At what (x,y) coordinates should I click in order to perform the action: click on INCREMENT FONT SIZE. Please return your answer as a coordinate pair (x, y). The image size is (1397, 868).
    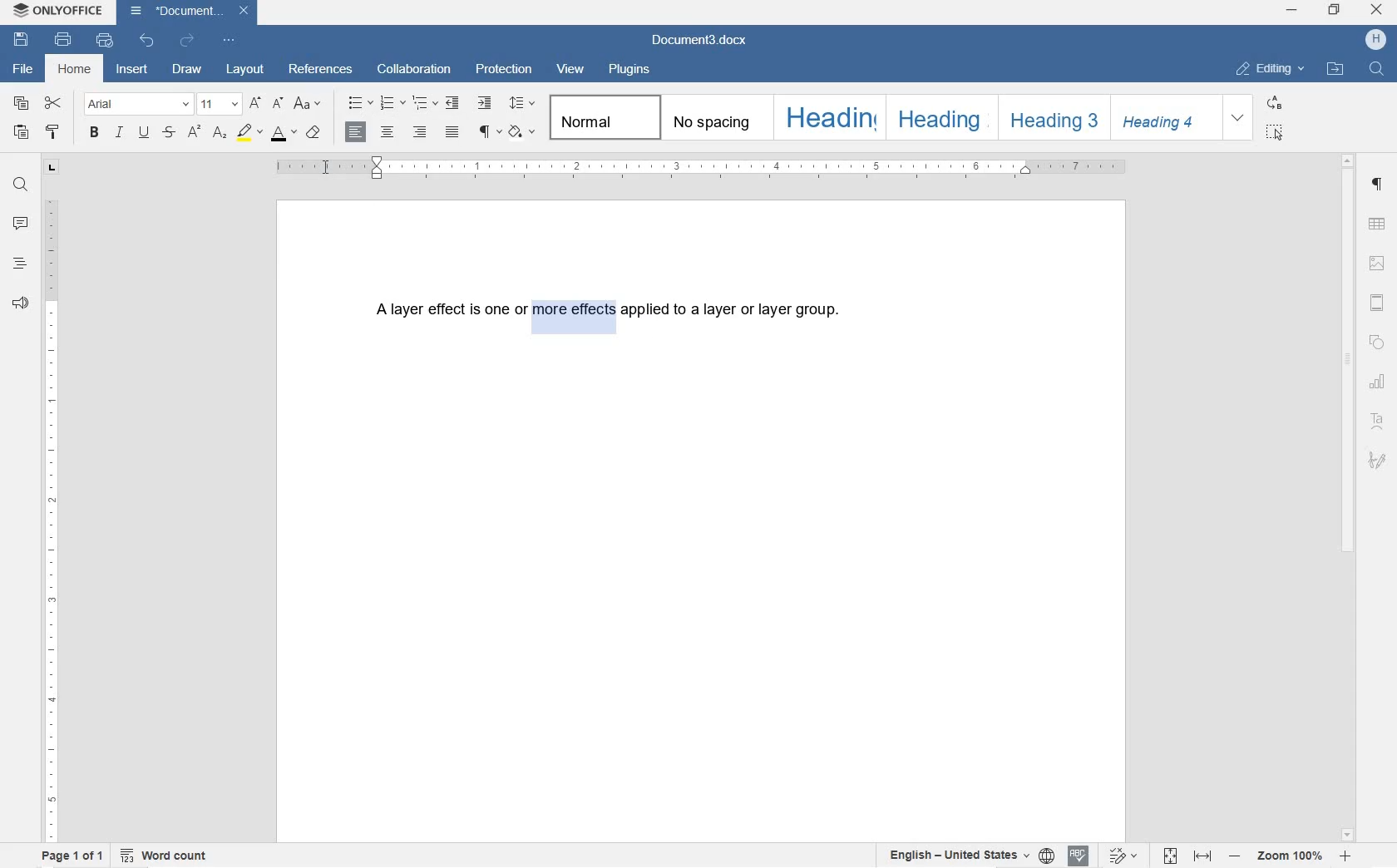
    Looking at the image, I should click on (278, 104).